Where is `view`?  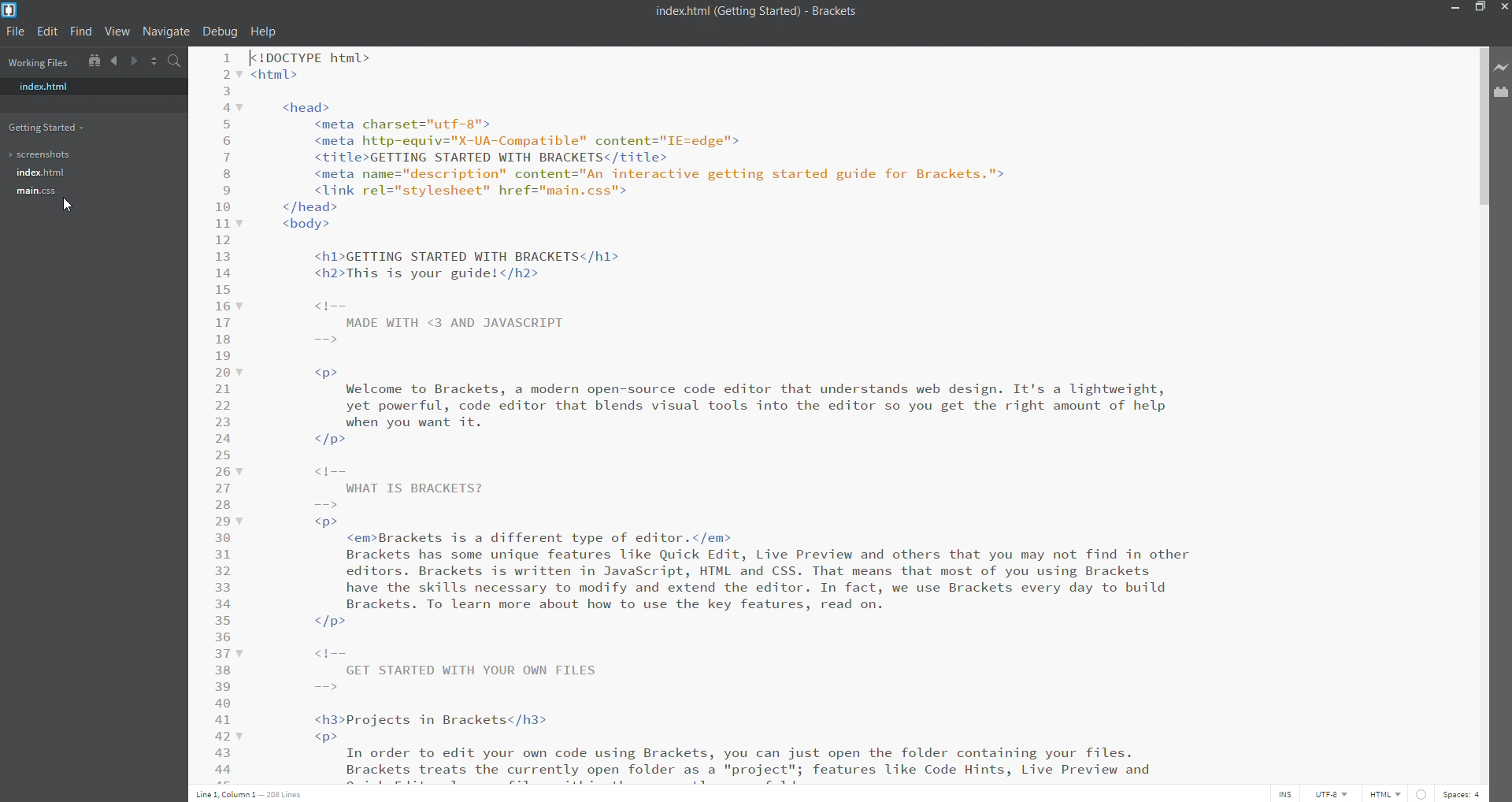 view is located at coordinates (117, 32).